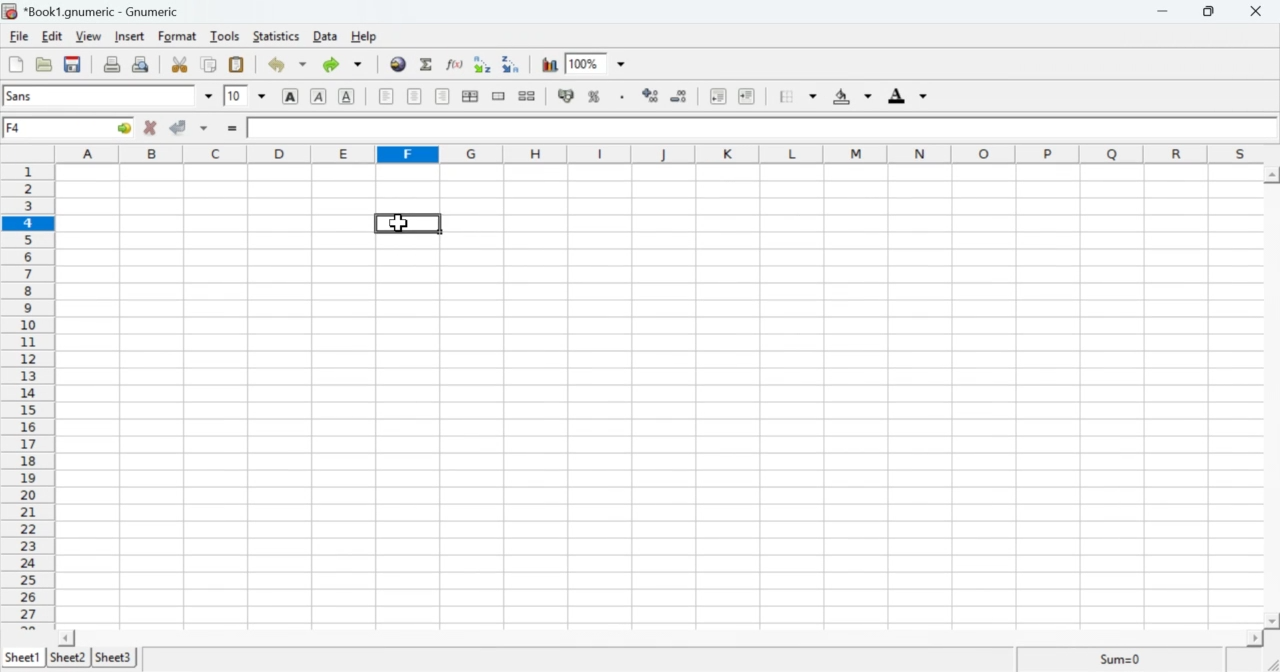 The image size is (1280, 672). I want to click on scroll bar, so click(1271, 402).